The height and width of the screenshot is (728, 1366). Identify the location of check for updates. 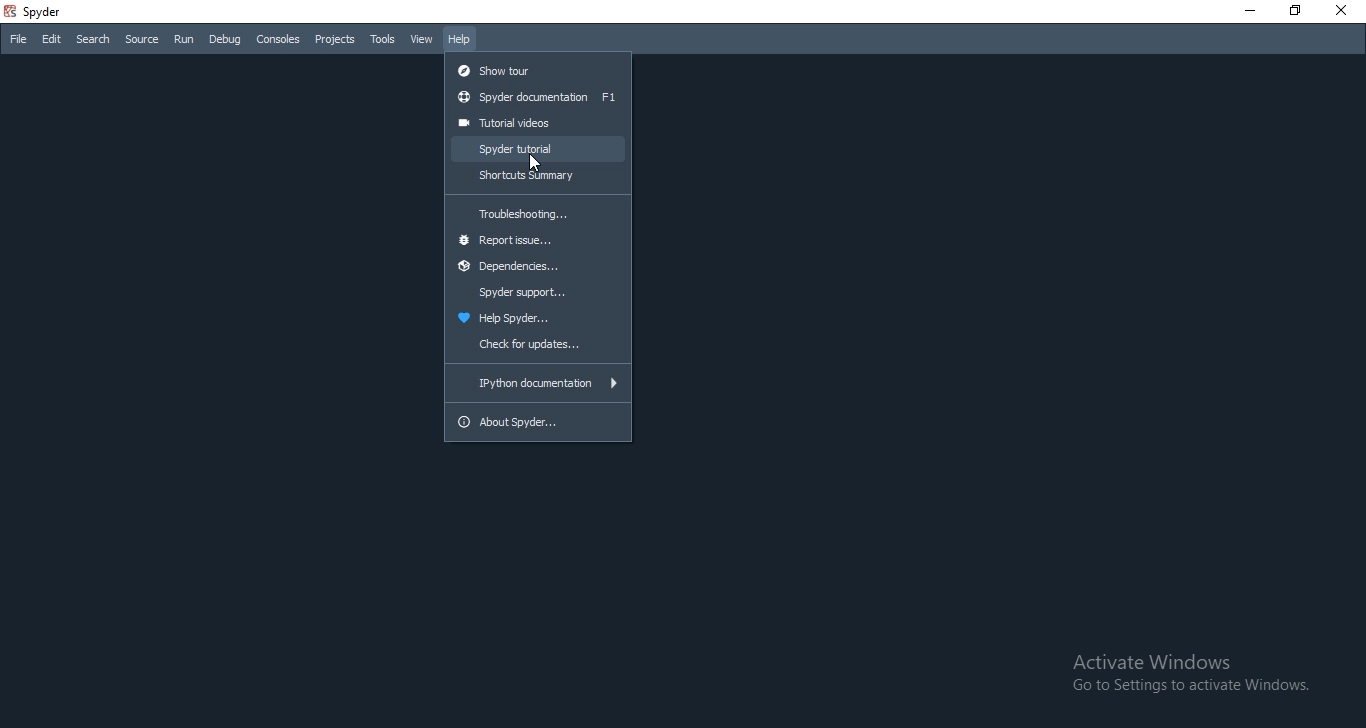
(536, 346).